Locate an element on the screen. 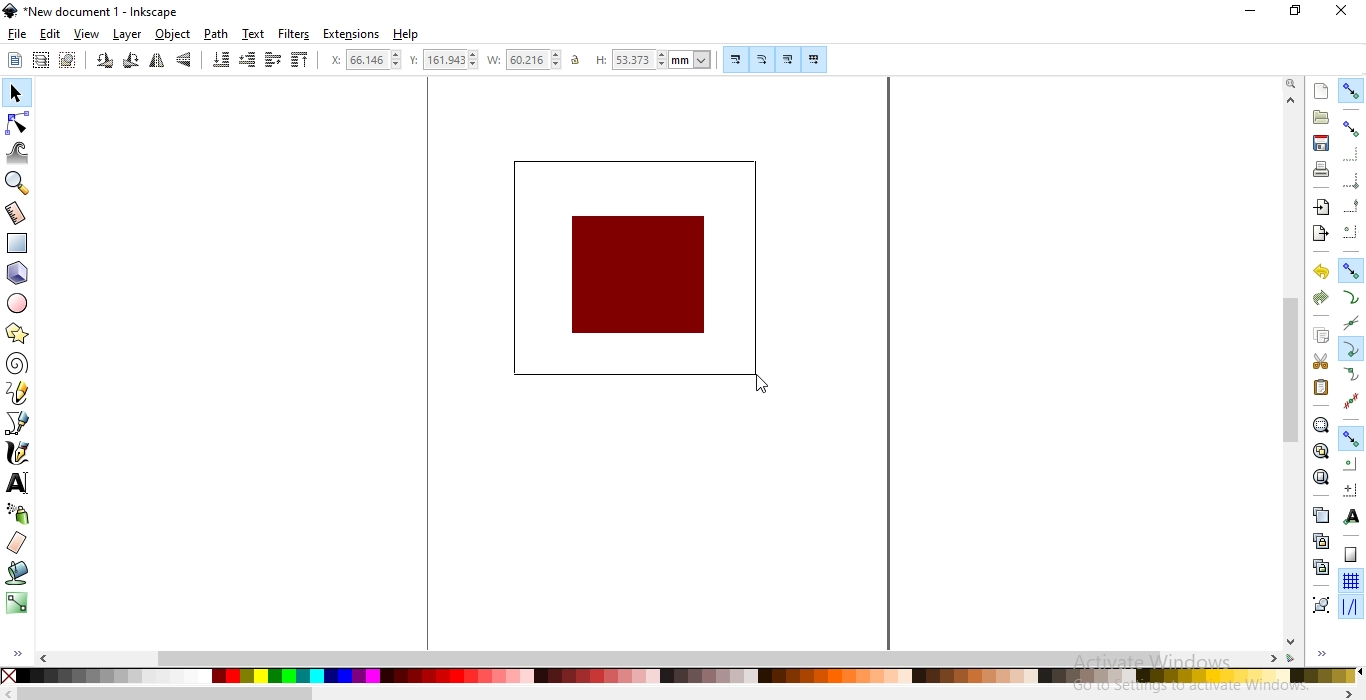  flip vertically is located at coordinates (186, 61).